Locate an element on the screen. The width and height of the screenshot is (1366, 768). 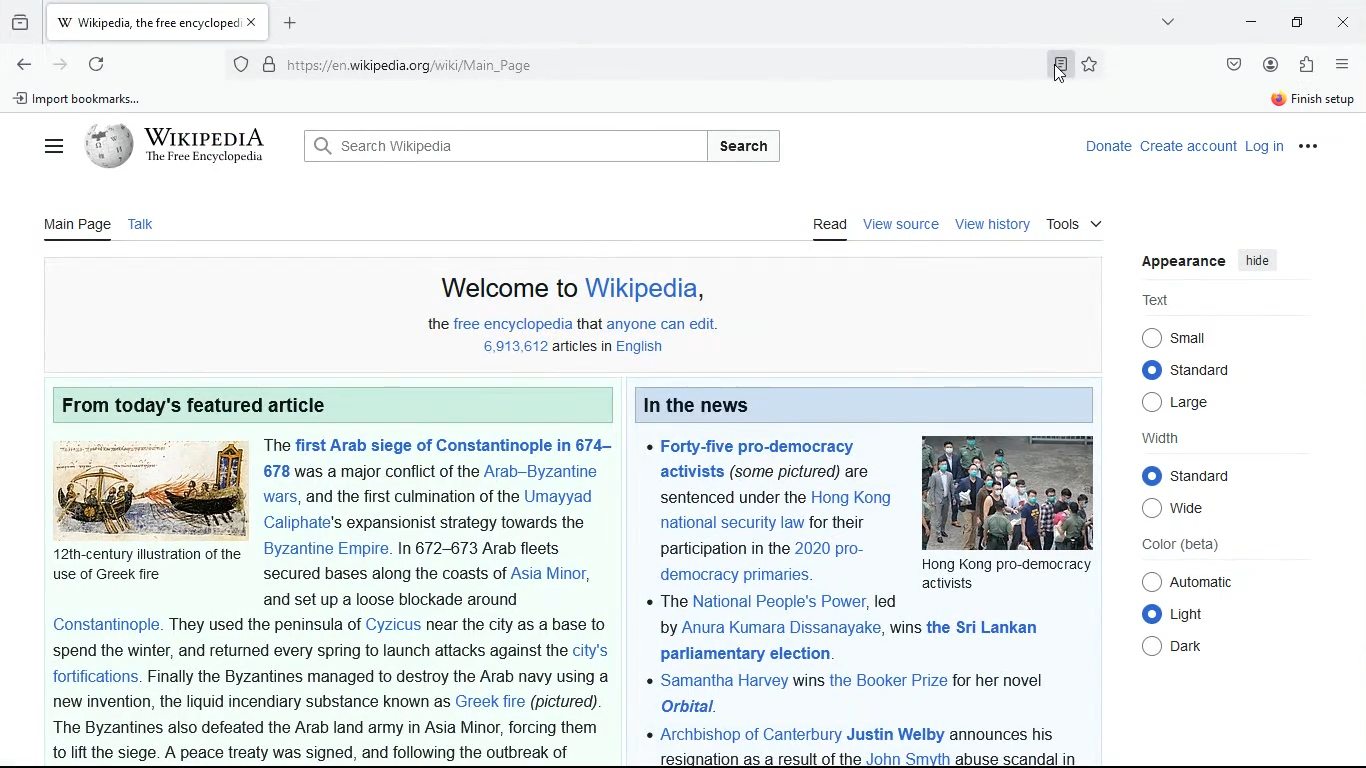
small is located at coordinates (1182, 338).